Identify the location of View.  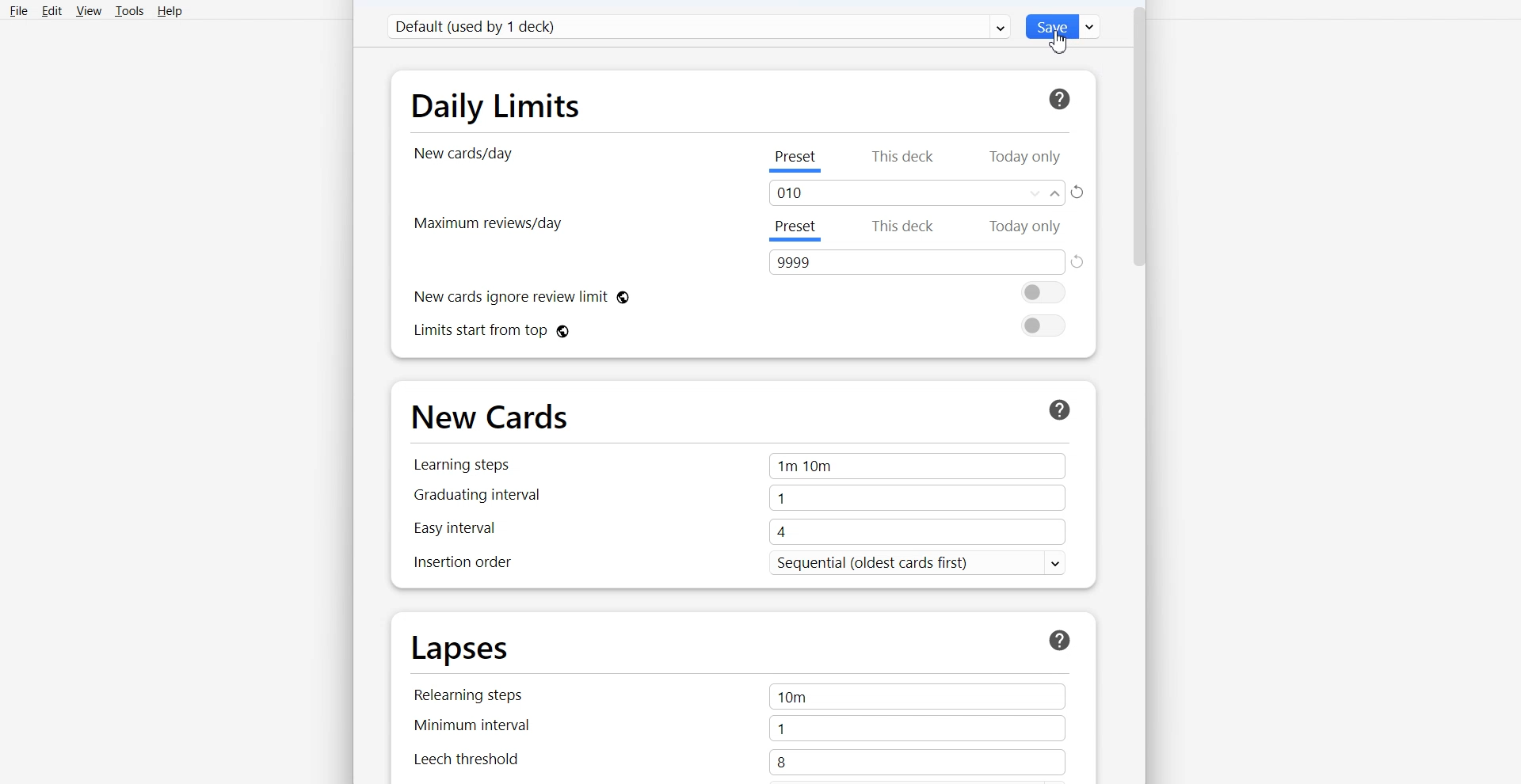
(88, 11).